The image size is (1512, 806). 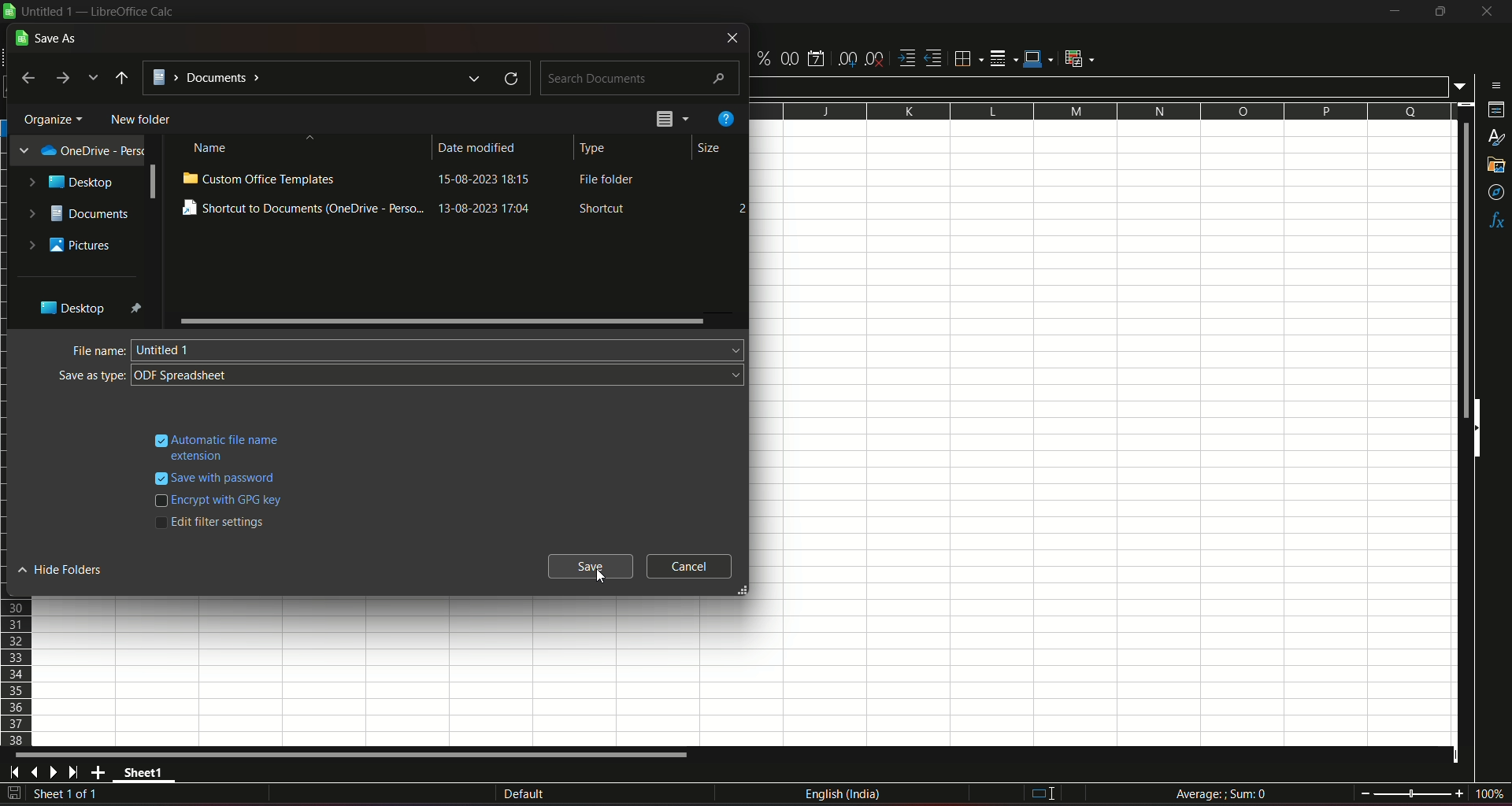 I want to click on automatic file name extension, so click(x=228, y=446).